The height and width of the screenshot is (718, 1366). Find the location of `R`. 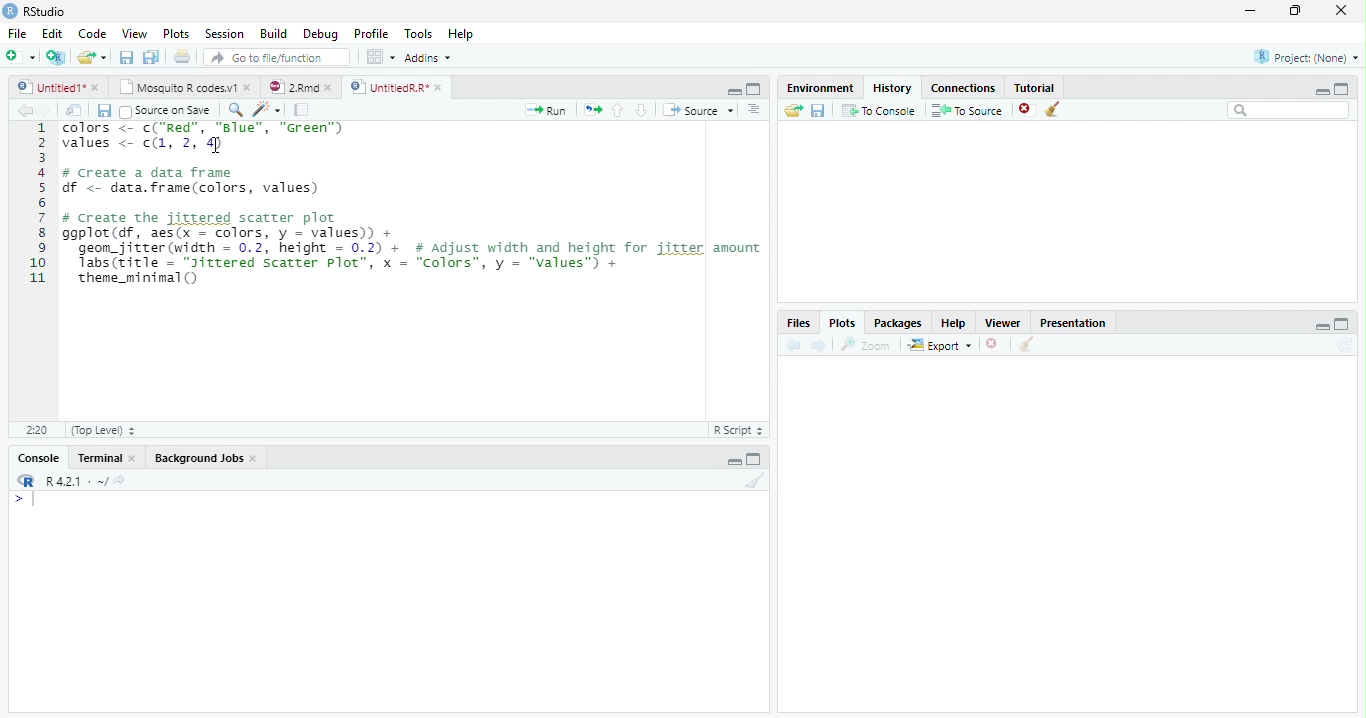

R is located at coordinates (25, 481).